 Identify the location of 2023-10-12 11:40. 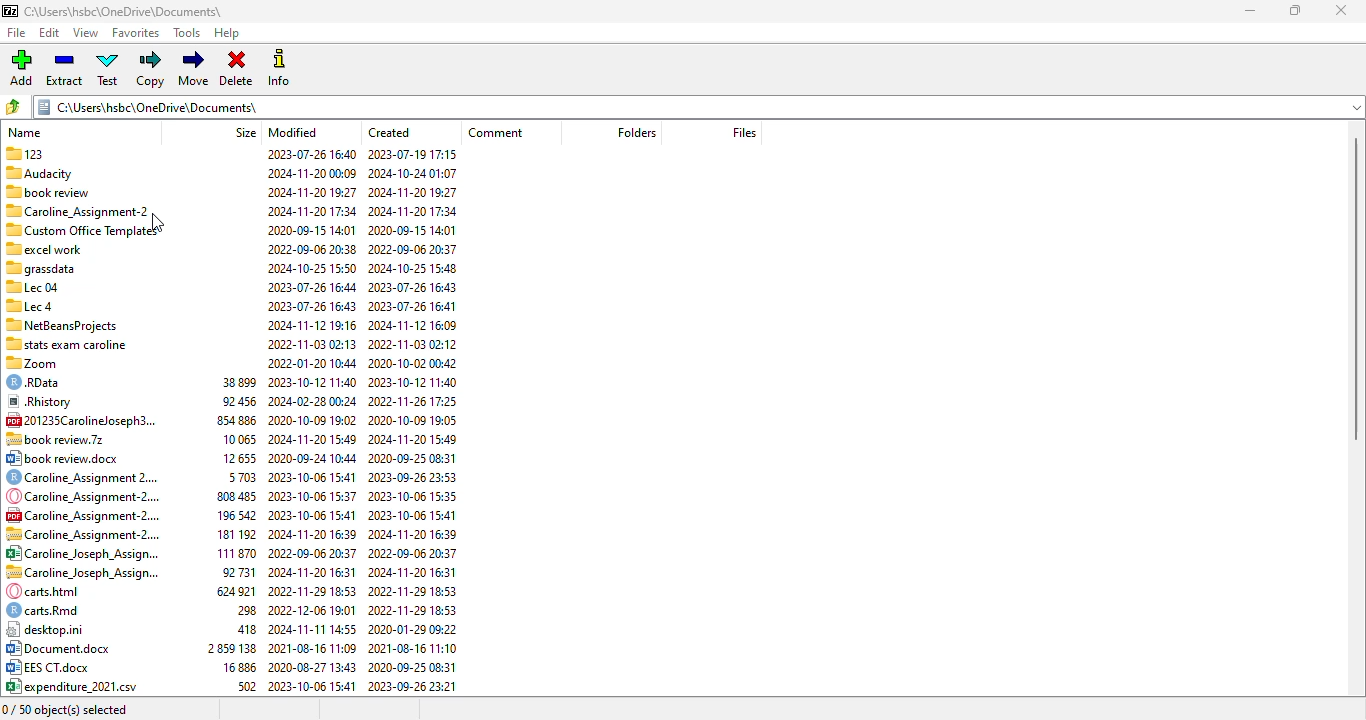
(416, 383).